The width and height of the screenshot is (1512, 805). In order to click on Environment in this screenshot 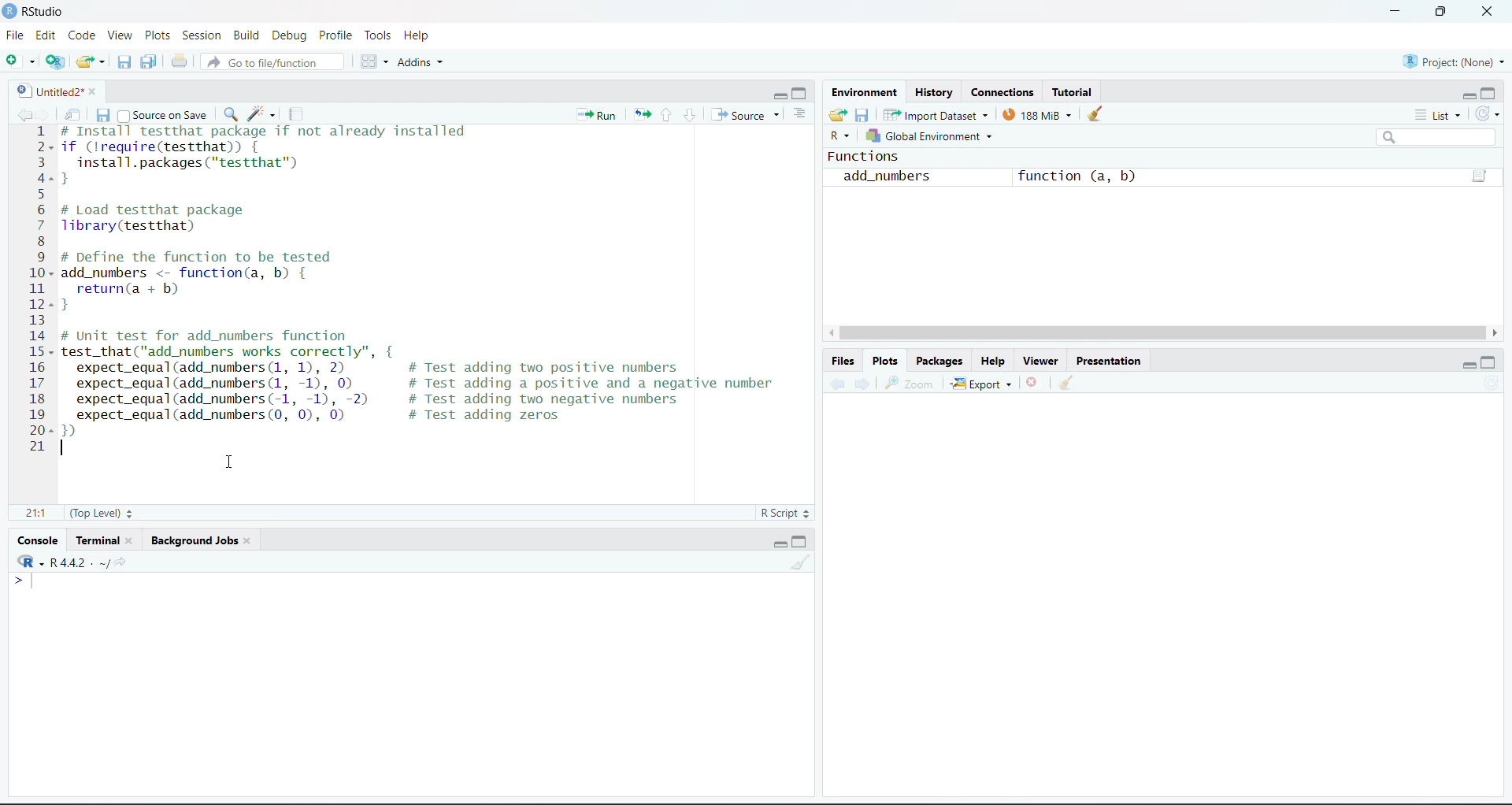, I will do `click(864, 91)`.